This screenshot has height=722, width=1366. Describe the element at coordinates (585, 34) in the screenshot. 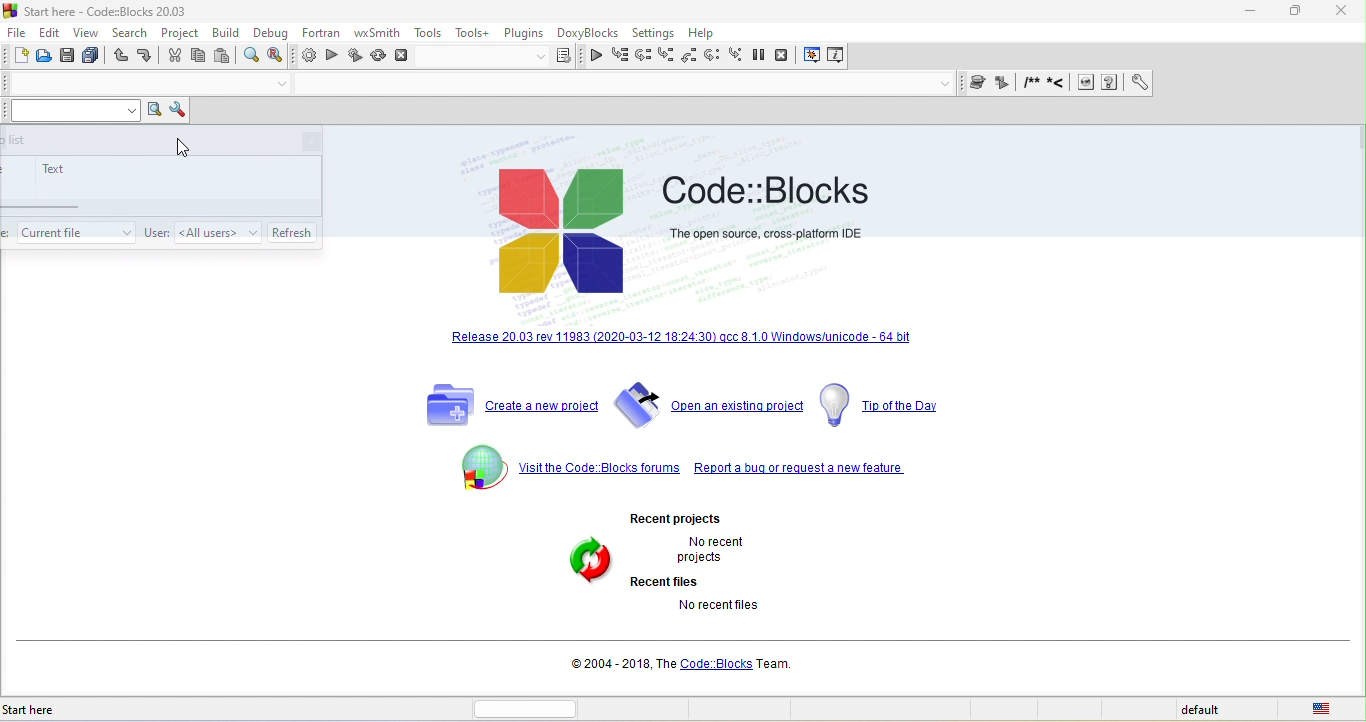

I see `doxy blocks` at that location.